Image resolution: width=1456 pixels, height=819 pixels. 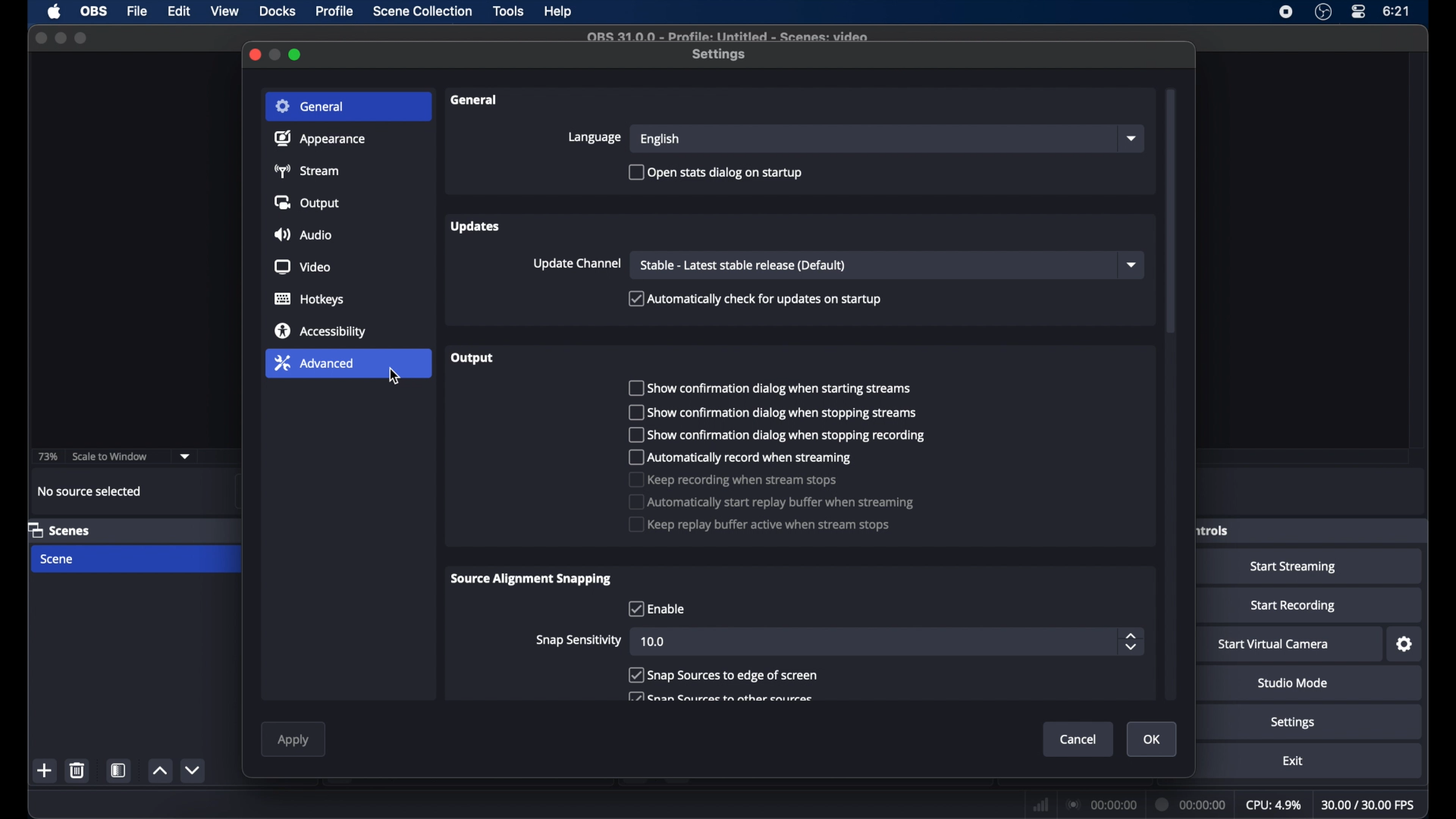 What do you see at coordinates (1294, 566) in the screenshot?
I see `start streaming` at bounding box center [1294, 566].